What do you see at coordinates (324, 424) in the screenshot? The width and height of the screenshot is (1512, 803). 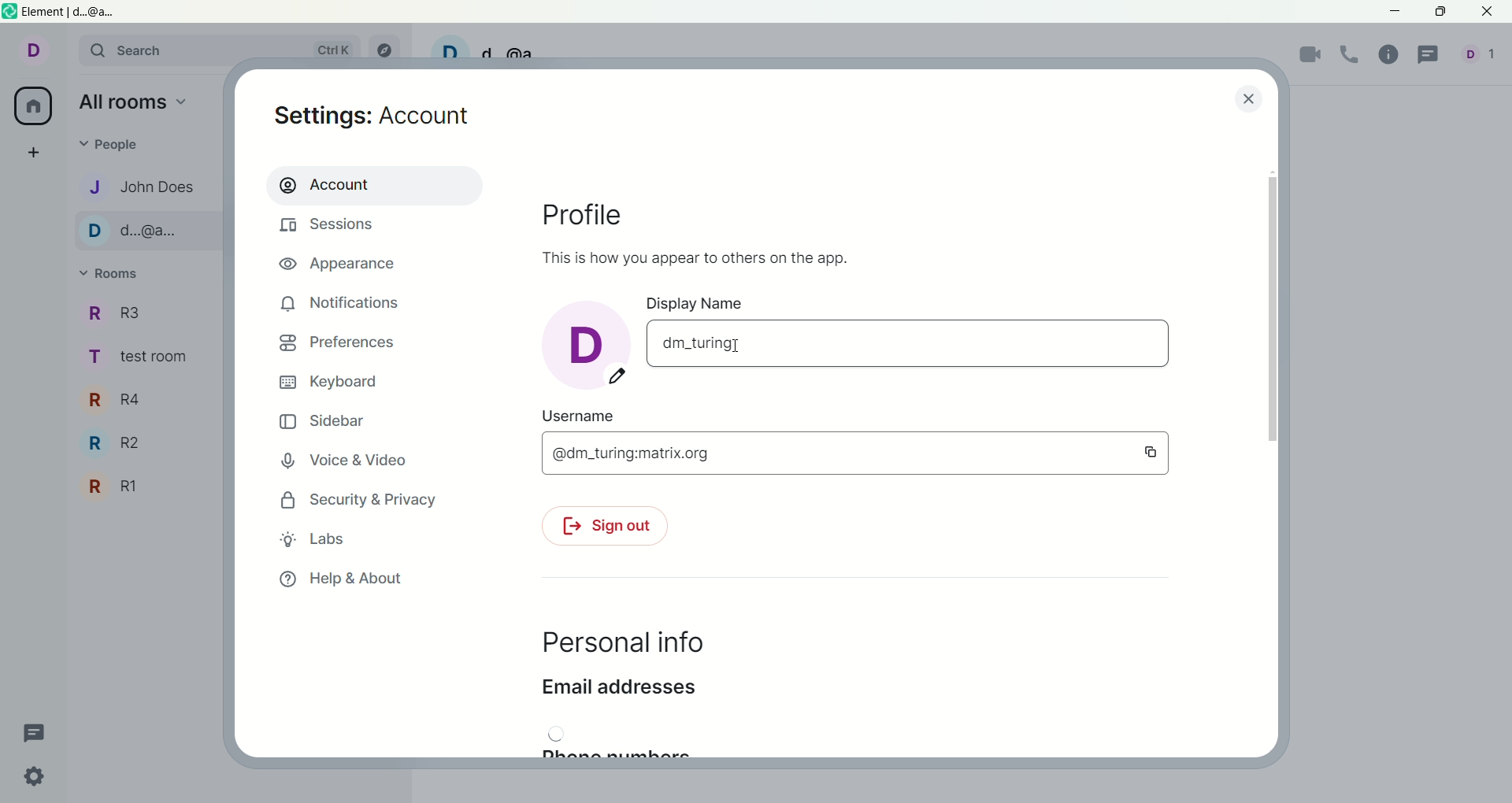 I see `sidebar` at bounding box center [324, 424].